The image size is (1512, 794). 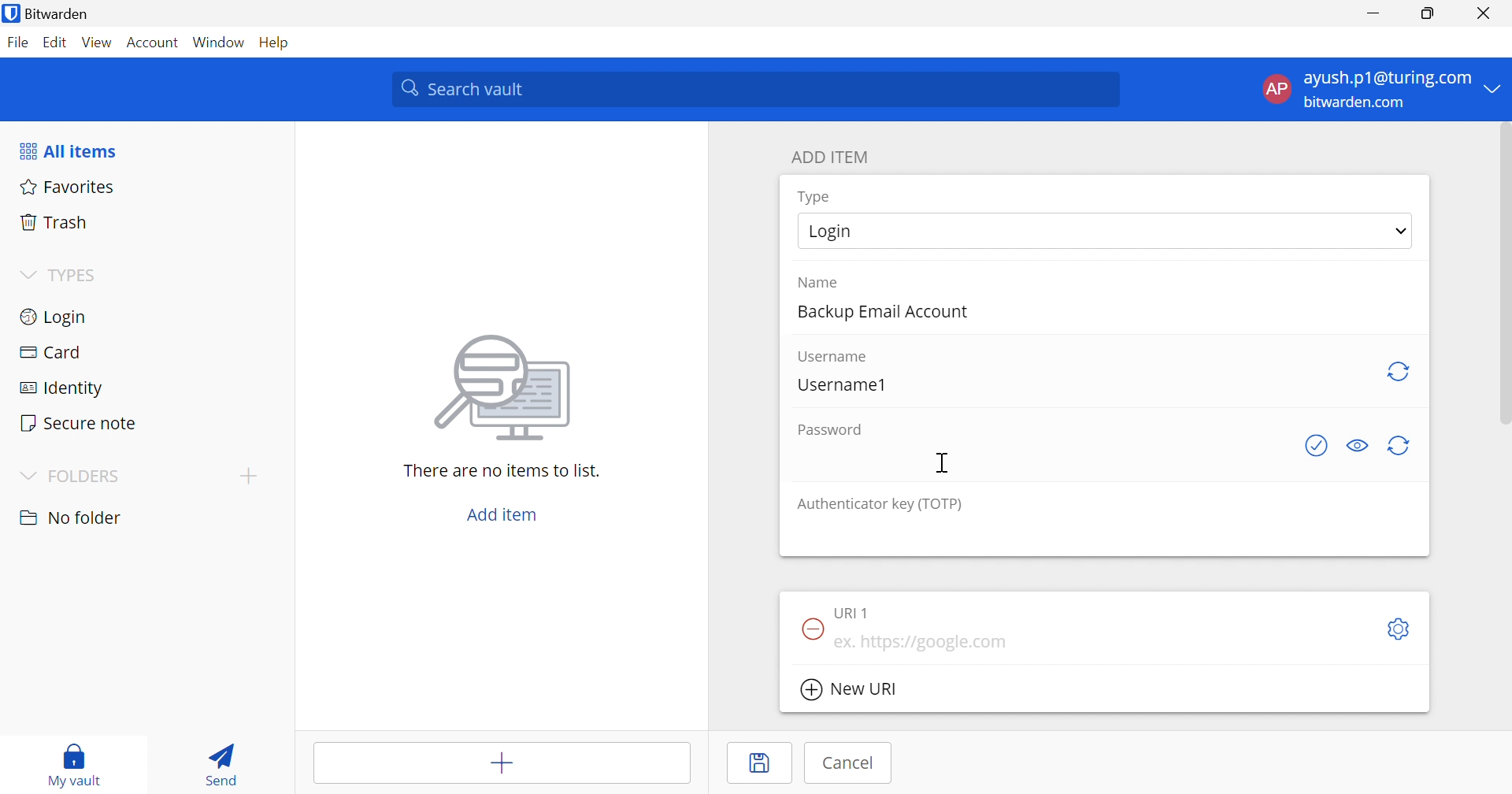 What do you see at coordinates (72, 519) in the screenshot?
I see `No folder` at bounding box center [72, 519].